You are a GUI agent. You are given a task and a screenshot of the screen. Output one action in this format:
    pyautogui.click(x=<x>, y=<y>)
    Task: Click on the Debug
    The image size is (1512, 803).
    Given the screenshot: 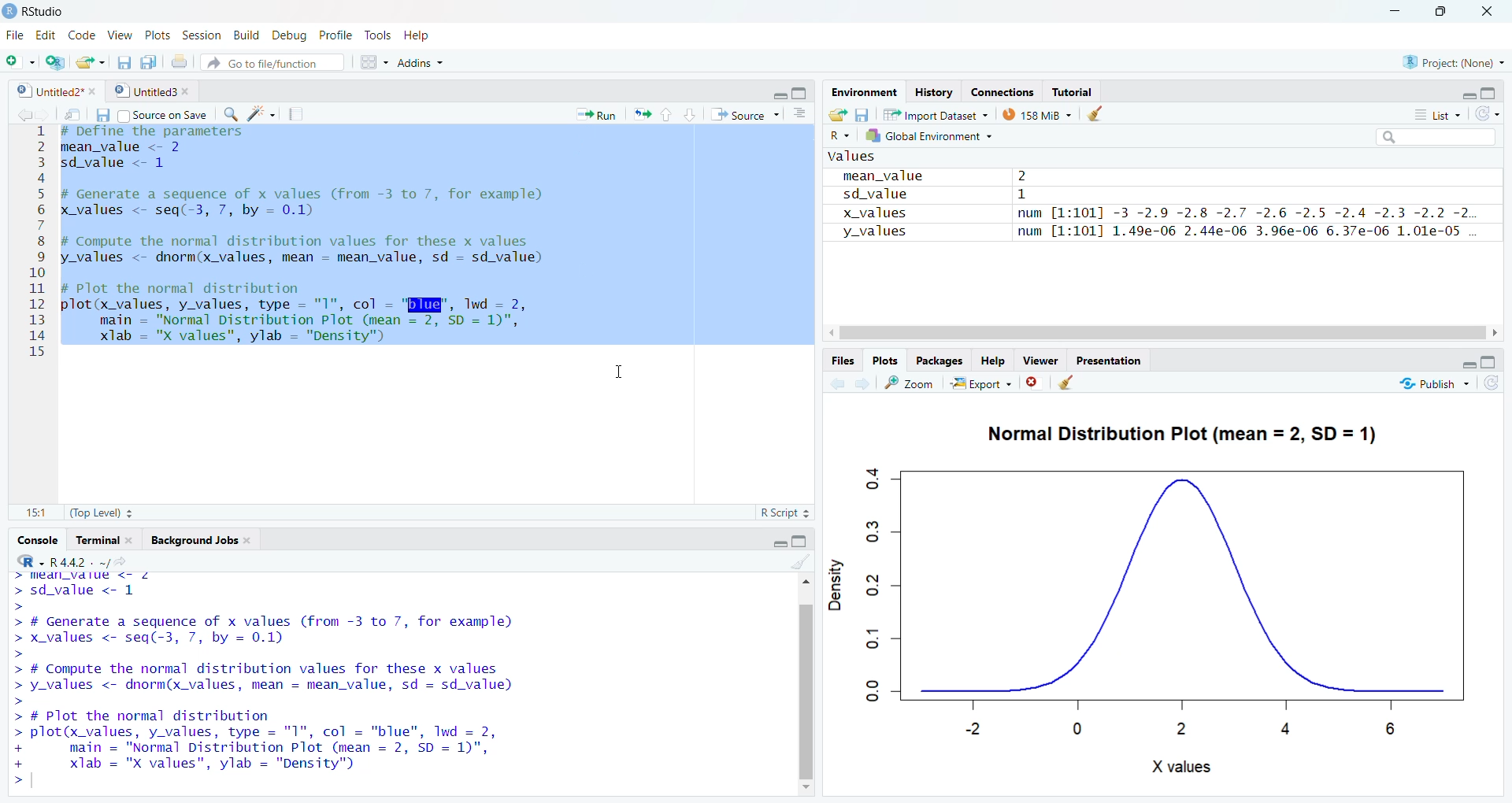 What is the action you would take?
    pyautogui.click(x=286, y=35)
    